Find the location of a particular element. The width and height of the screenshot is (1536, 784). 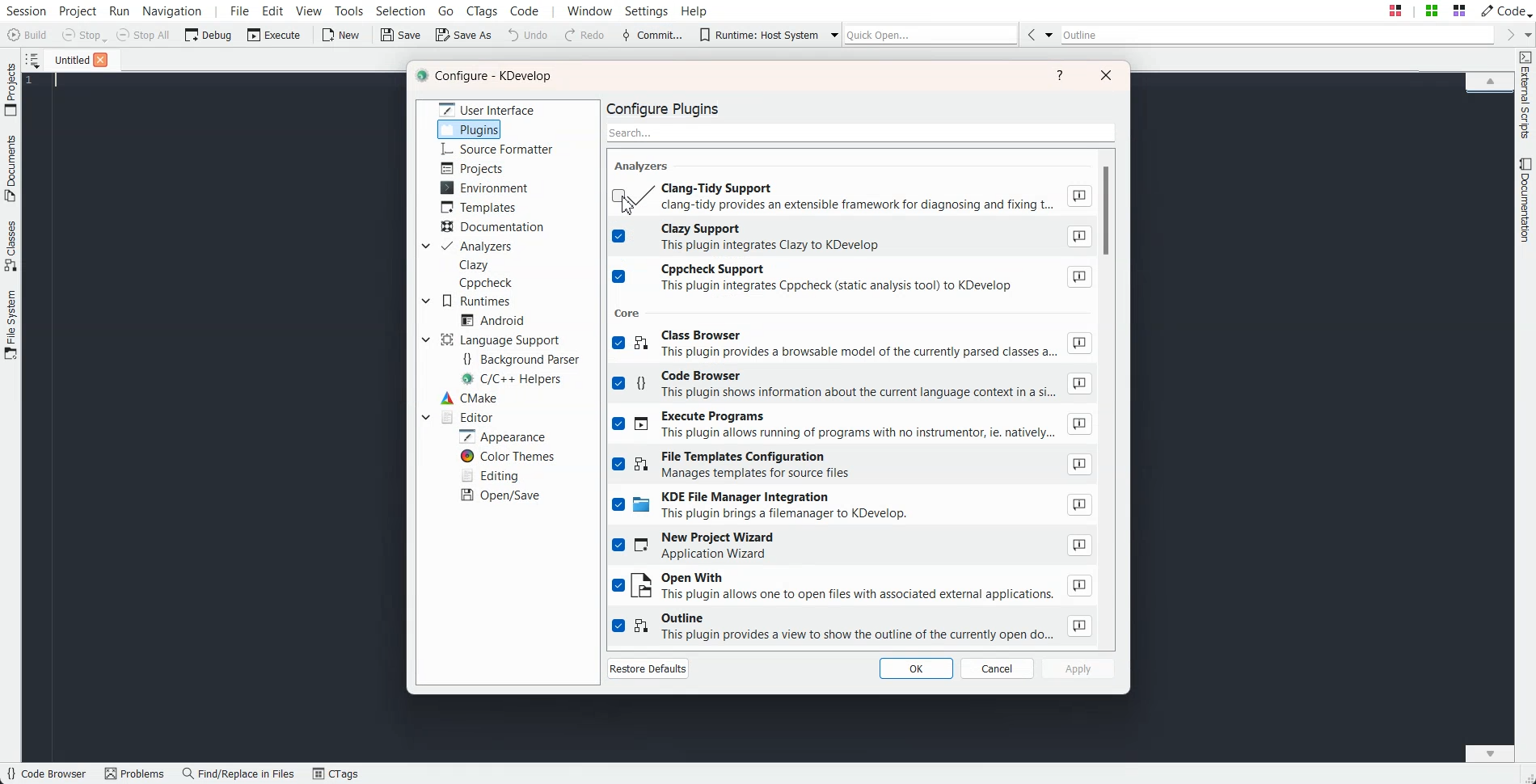

Cppcheck Support is located at coordinates (853, 279).